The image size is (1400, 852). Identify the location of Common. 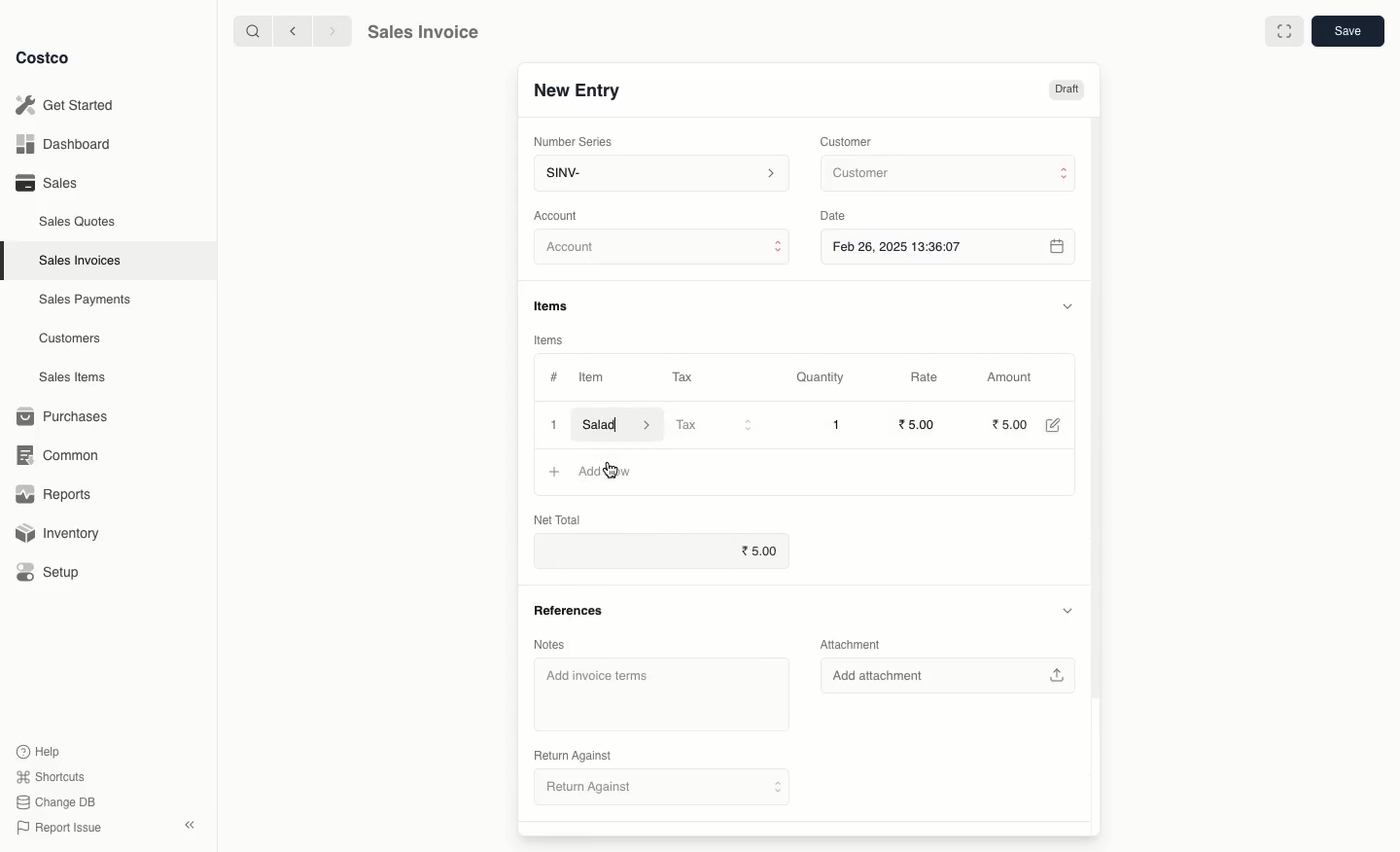
(66, 455).